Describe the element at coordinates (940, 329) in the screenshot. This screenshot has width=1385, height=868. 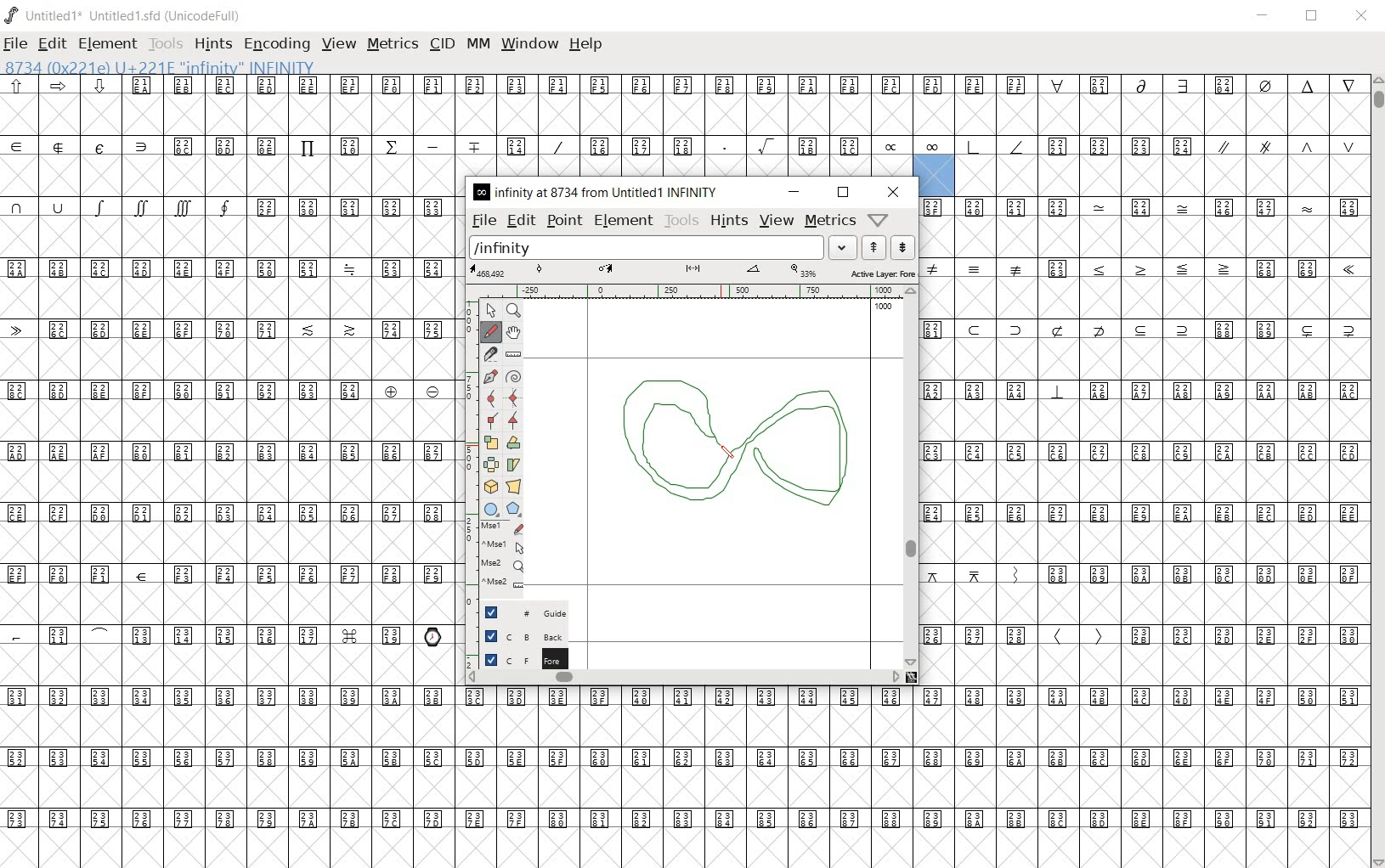
I see `Unicode code points` at that location.